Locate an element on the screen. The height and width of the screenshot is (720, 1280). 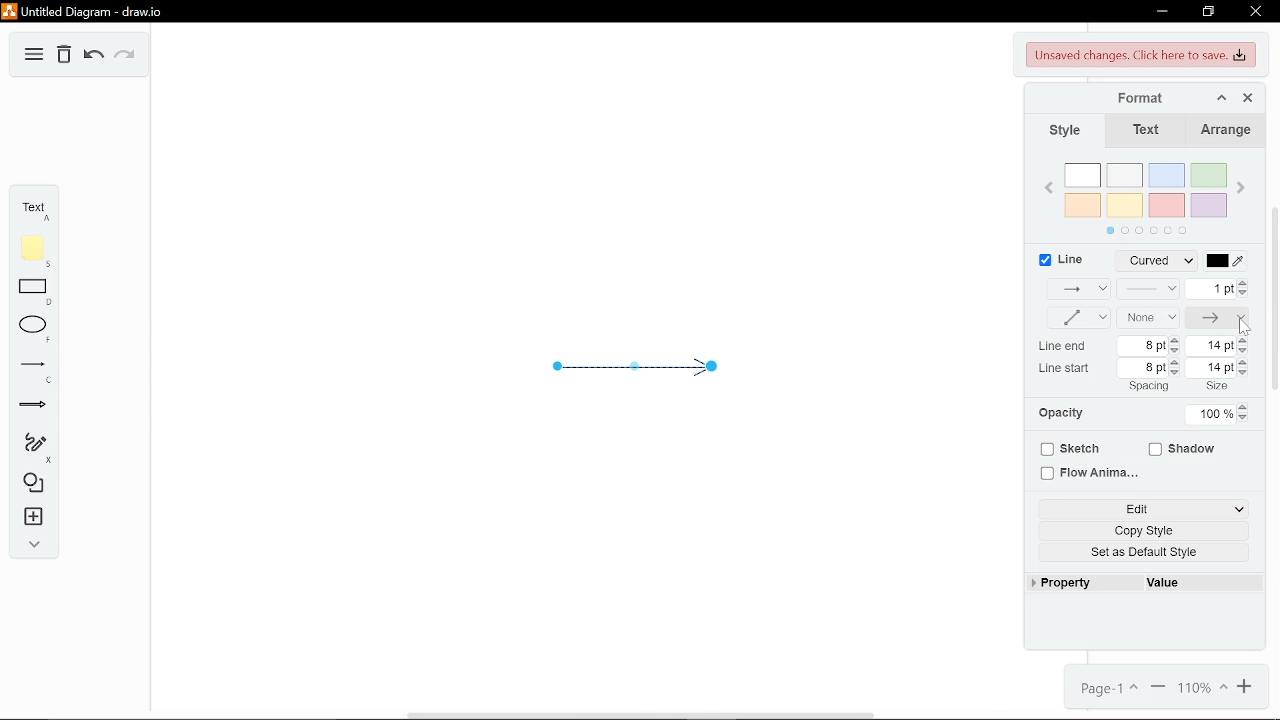
Line color is located at coordinates (1230, 261).